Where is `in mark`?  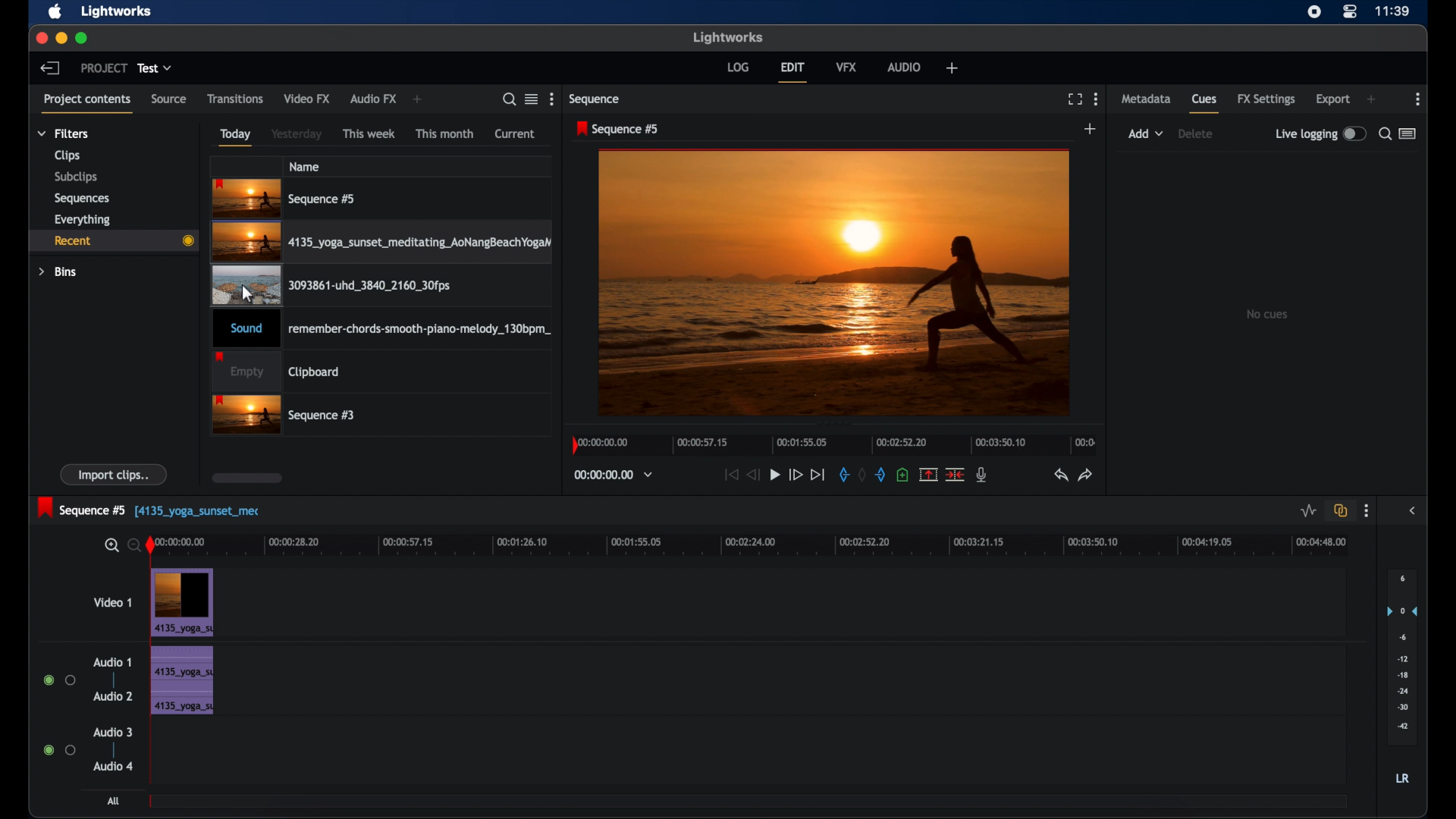
in mark is located at coordinates (842, 475).